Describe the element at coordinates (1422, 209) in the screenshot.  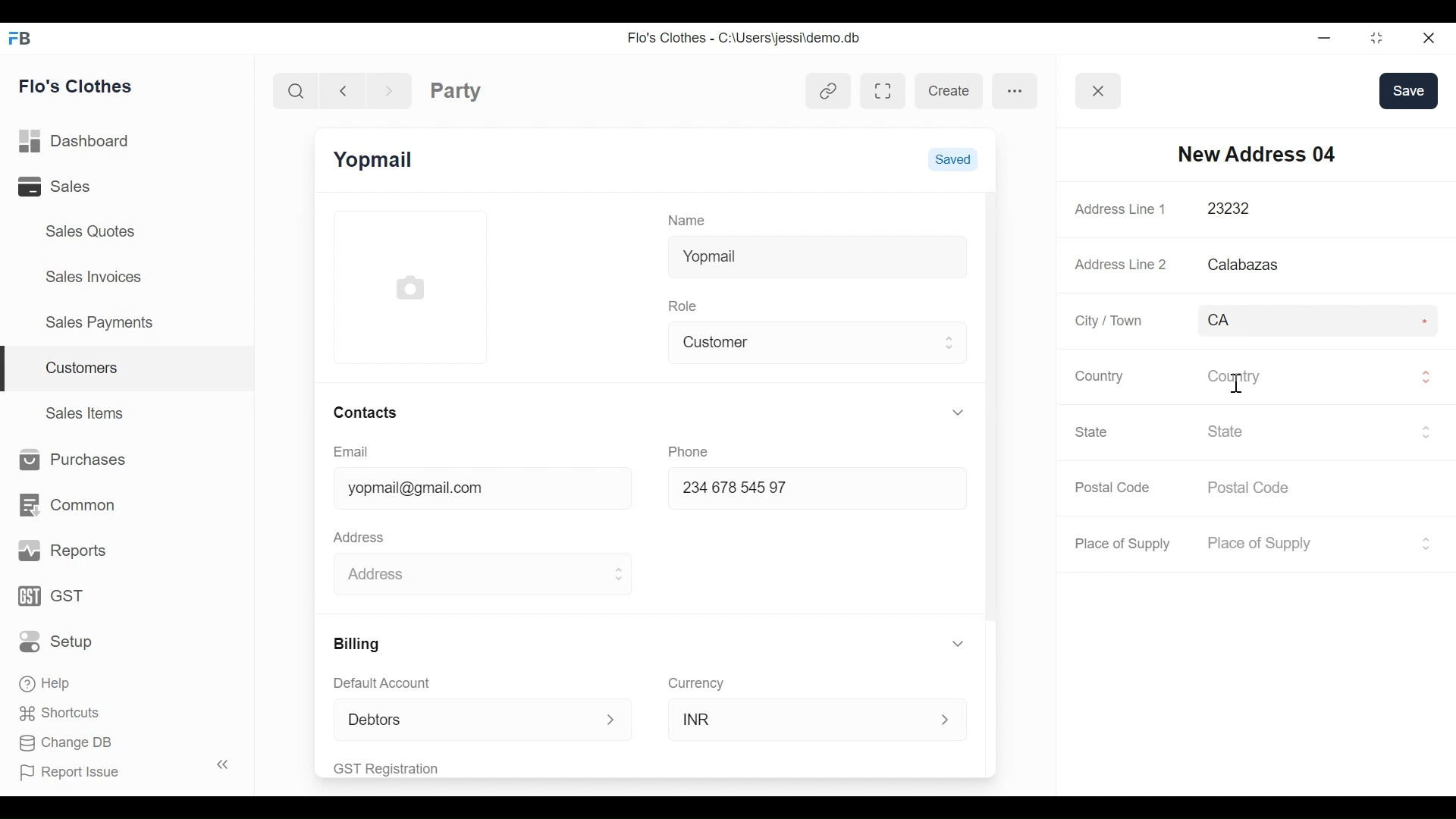
I see `Asterisk` at that location.